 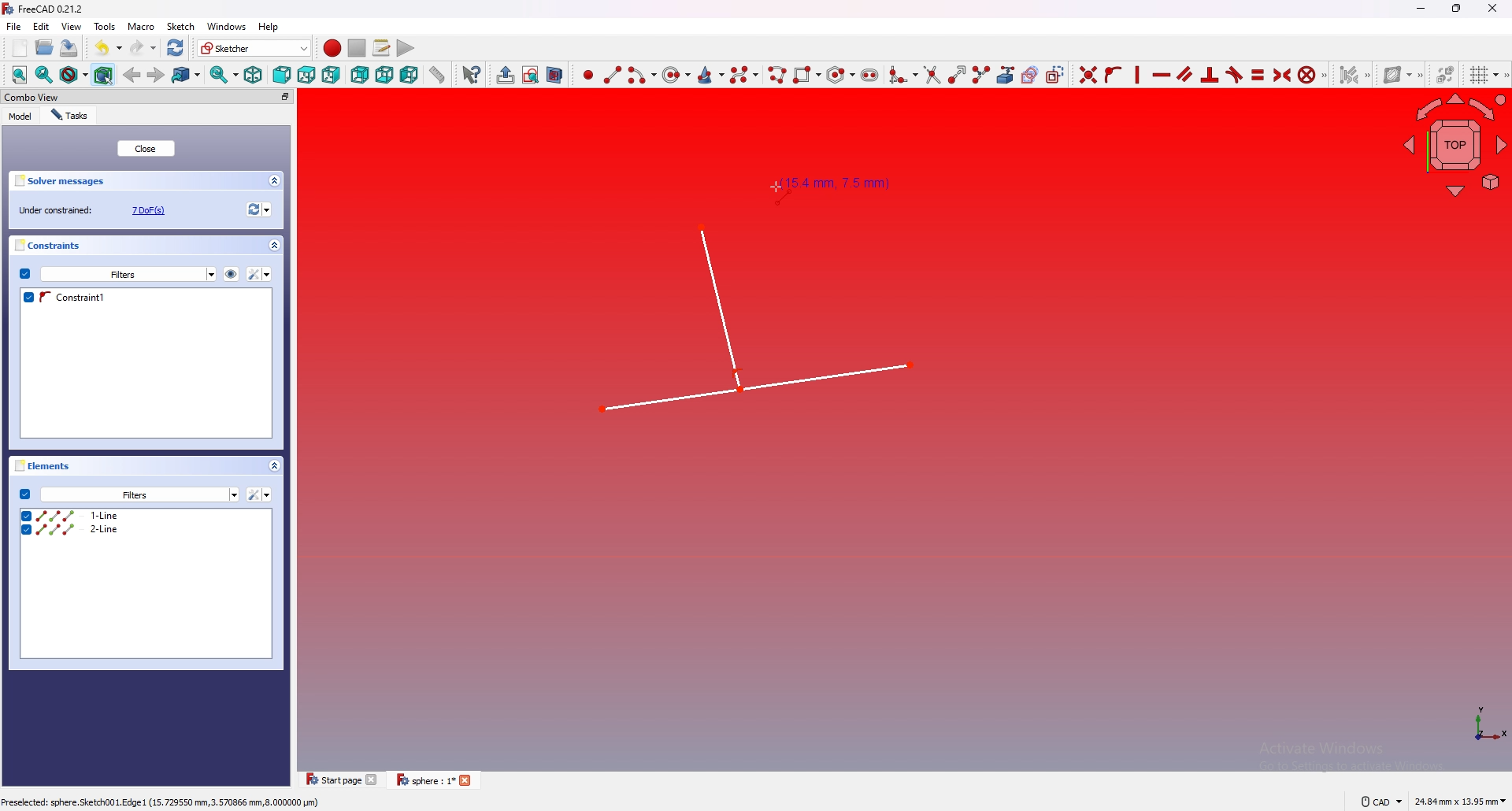 I want to click on Create point, so click(x=585, y=75).